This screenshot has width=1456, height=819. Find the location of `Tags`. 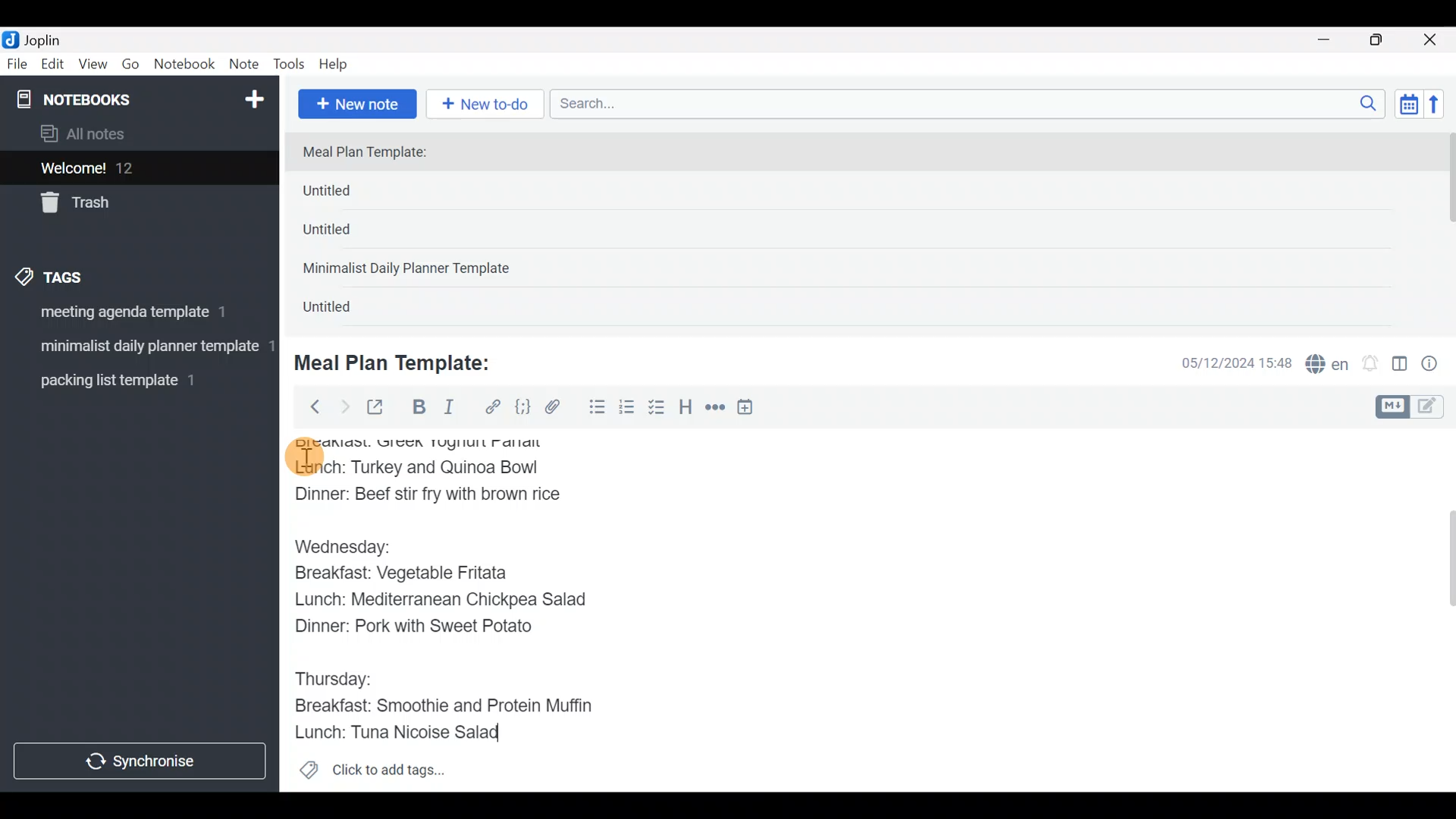

Tags is located at coordinates (85, 275).